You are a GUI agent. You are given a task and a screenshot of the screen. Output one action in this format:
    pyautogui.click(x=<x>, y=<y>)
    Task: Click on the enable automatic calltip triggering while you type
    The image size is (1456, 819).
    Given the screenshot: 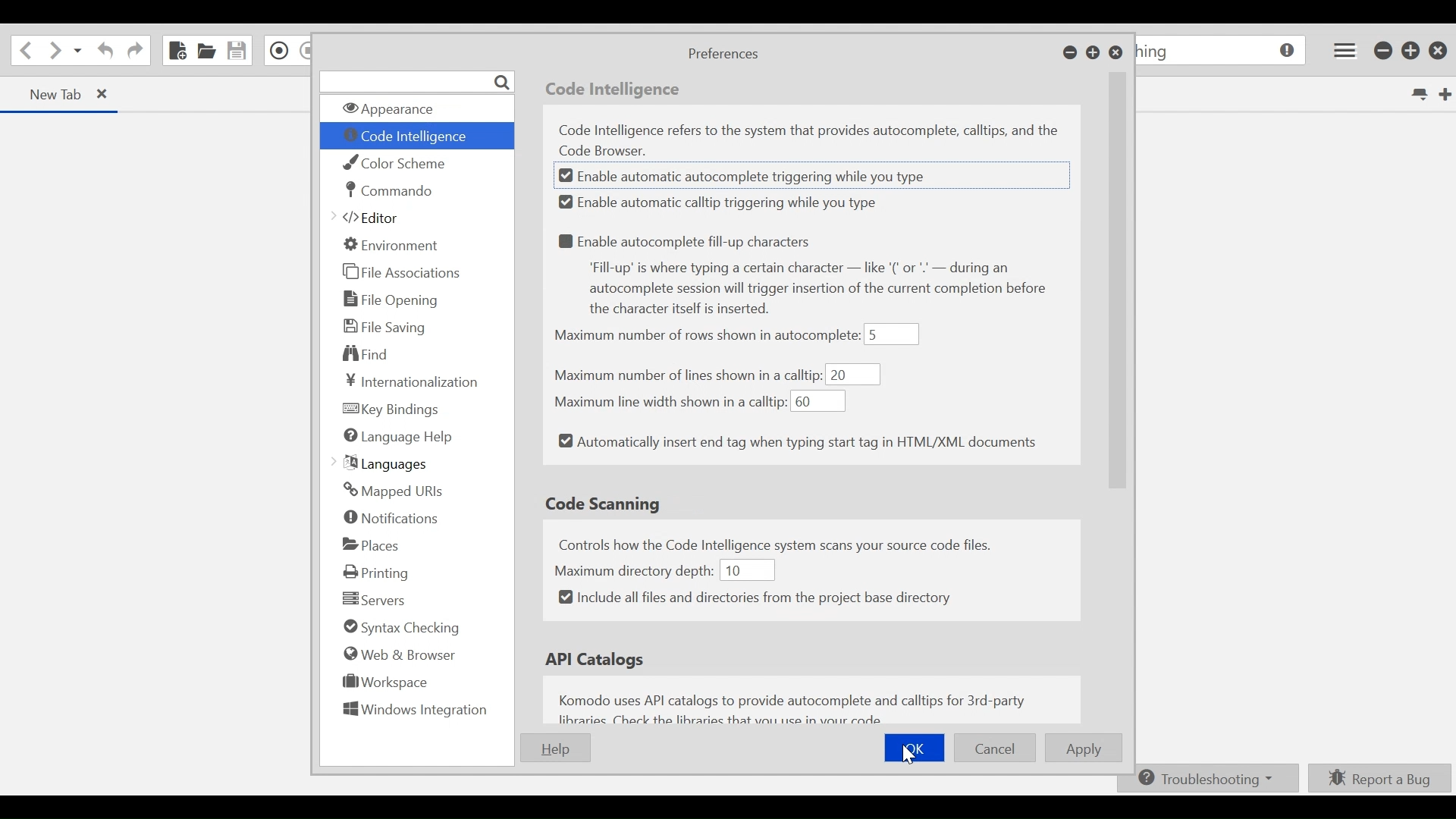 What is the action you would take?
    pyautogui.click(x=724, y=202)
    